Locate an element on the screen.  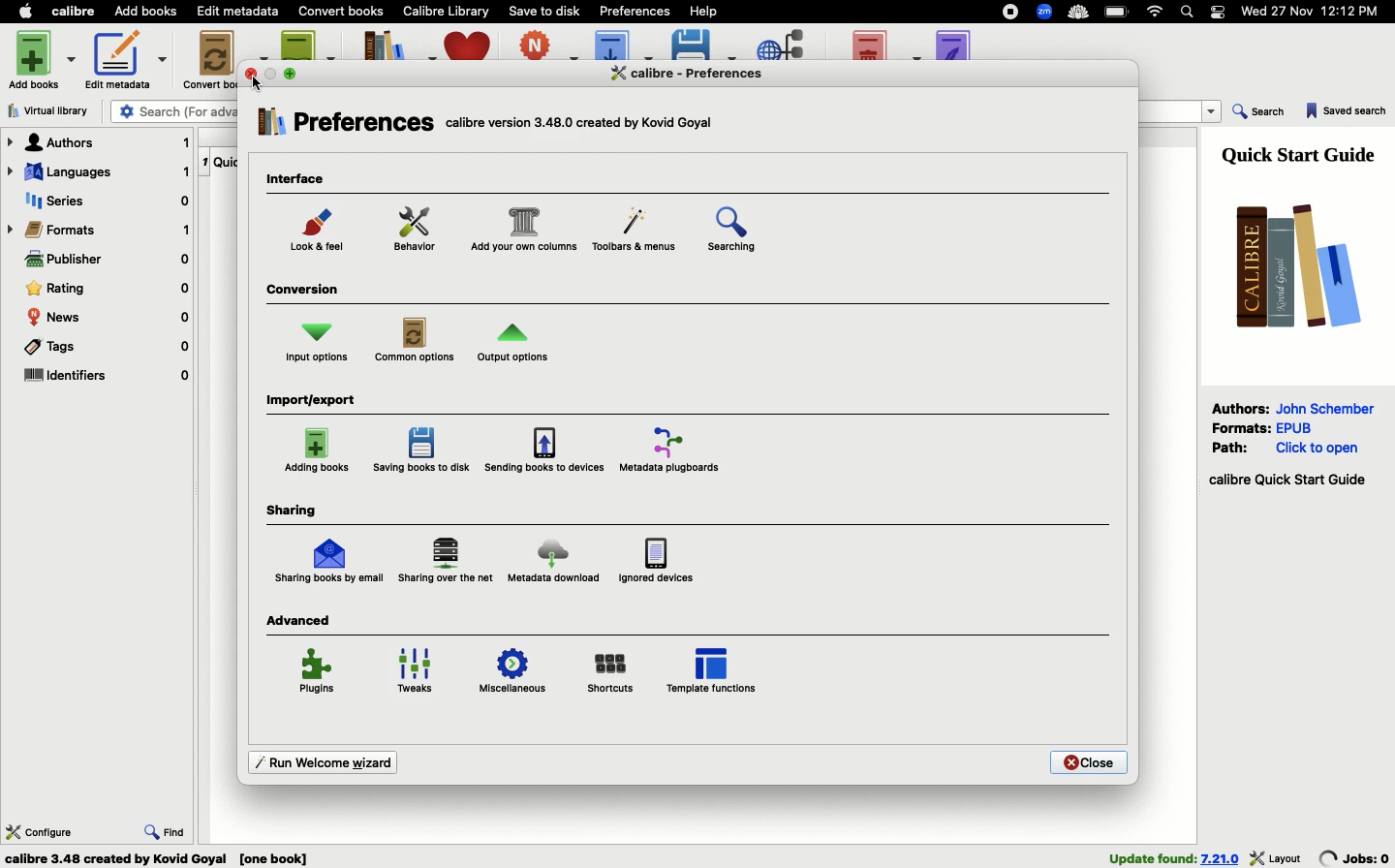
Plugins is located at coordinates (319, 674).